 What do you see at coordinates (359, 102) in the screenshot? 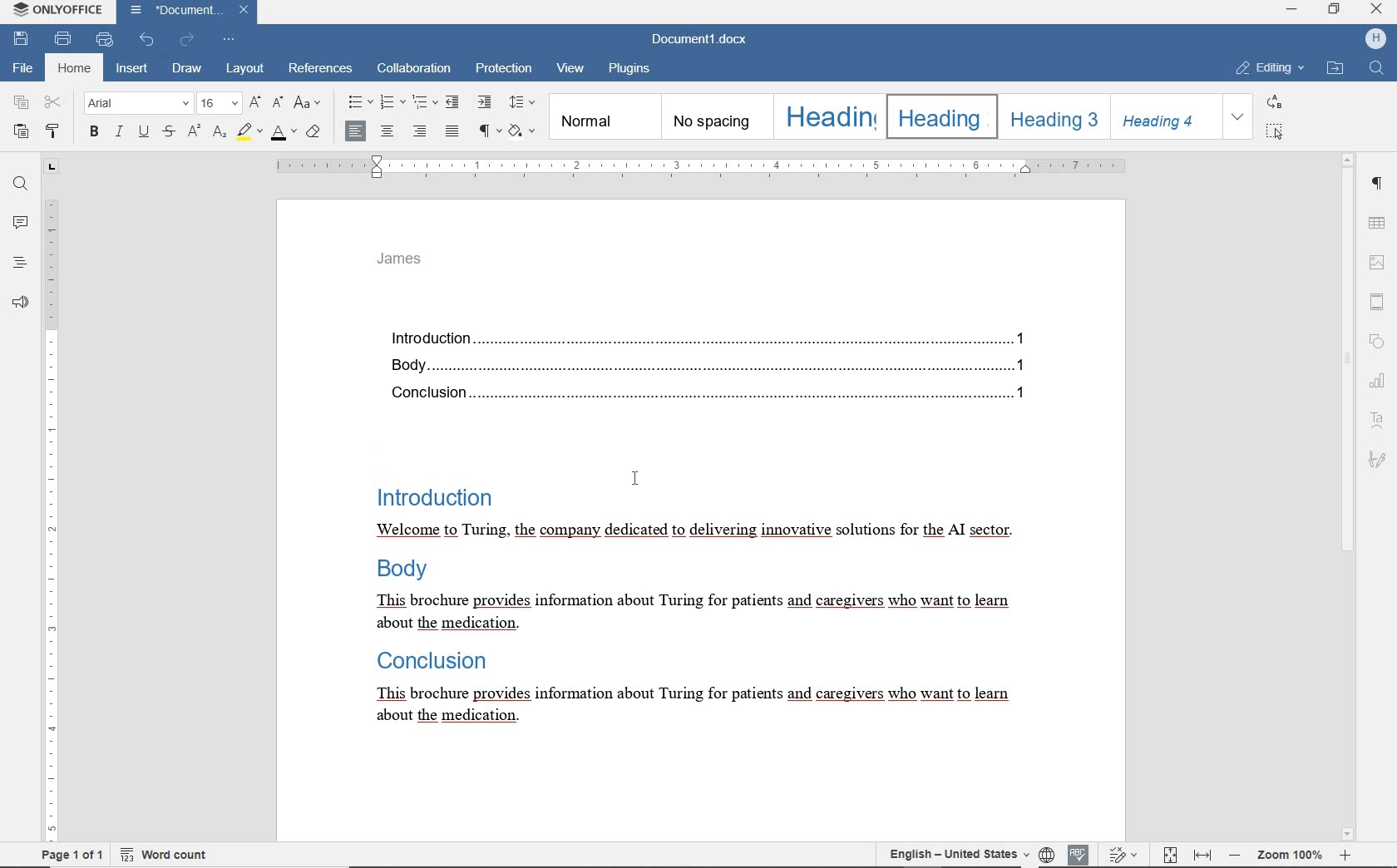
I see `bullets` at bounding box center [359, 102].